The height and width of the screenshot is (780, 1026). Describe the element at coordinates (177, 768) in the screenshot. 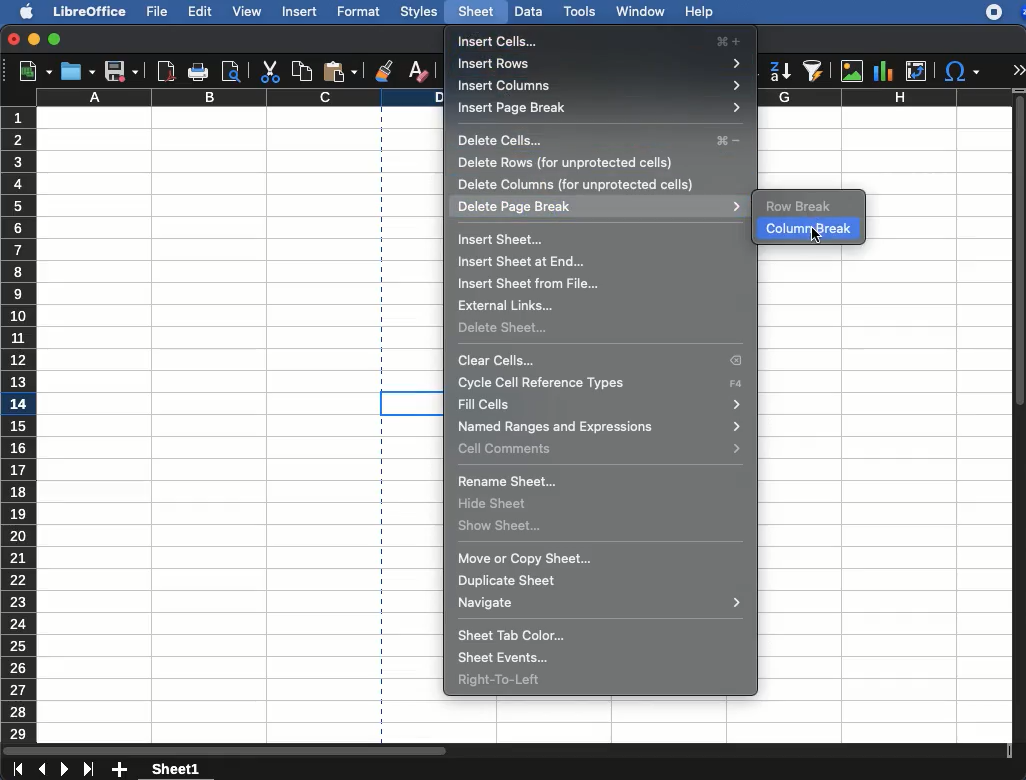

I see `sheet1` at that location.